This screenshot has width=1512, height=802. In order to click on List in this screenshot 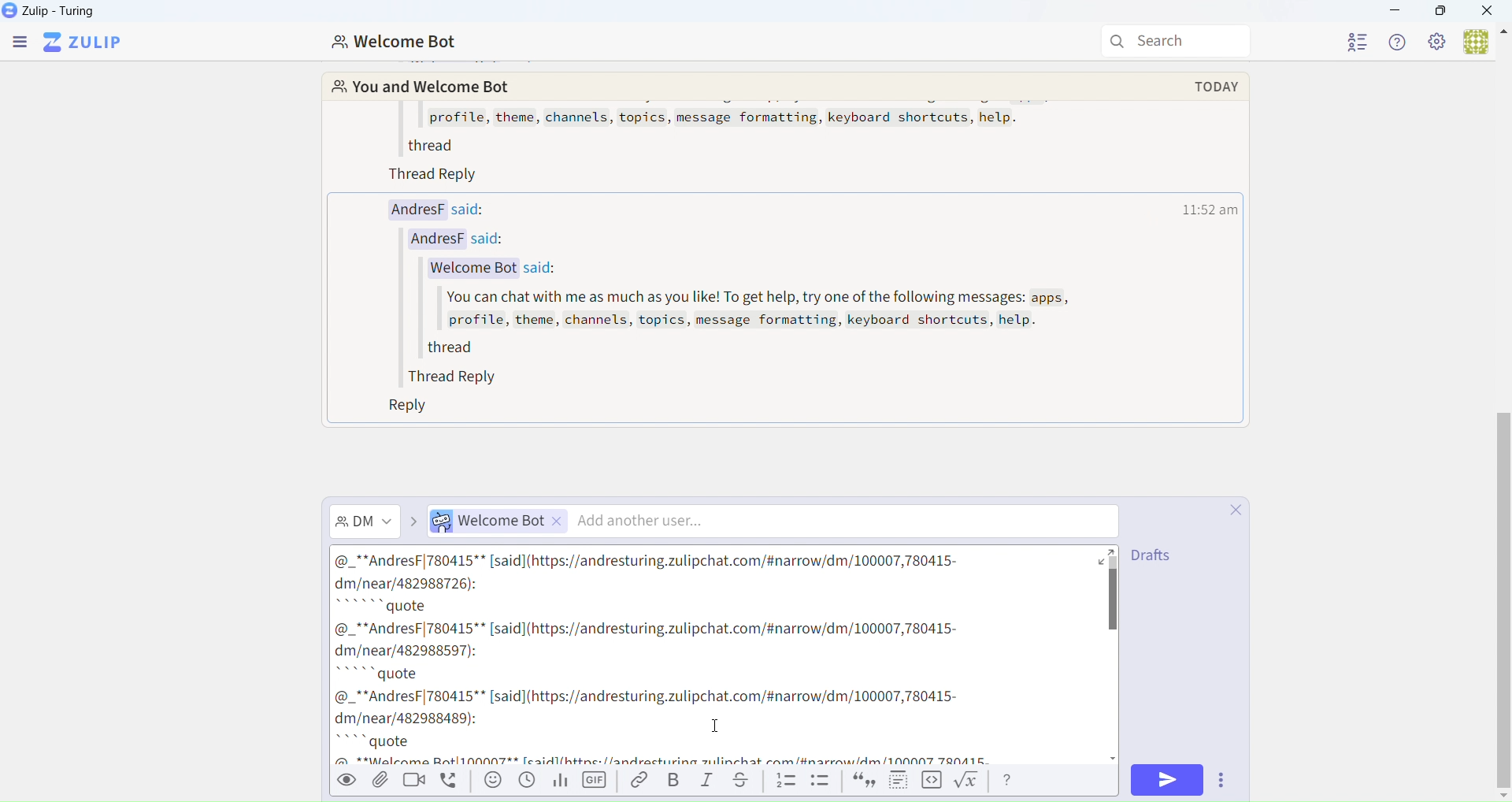, I will do `click(821, 782)`.